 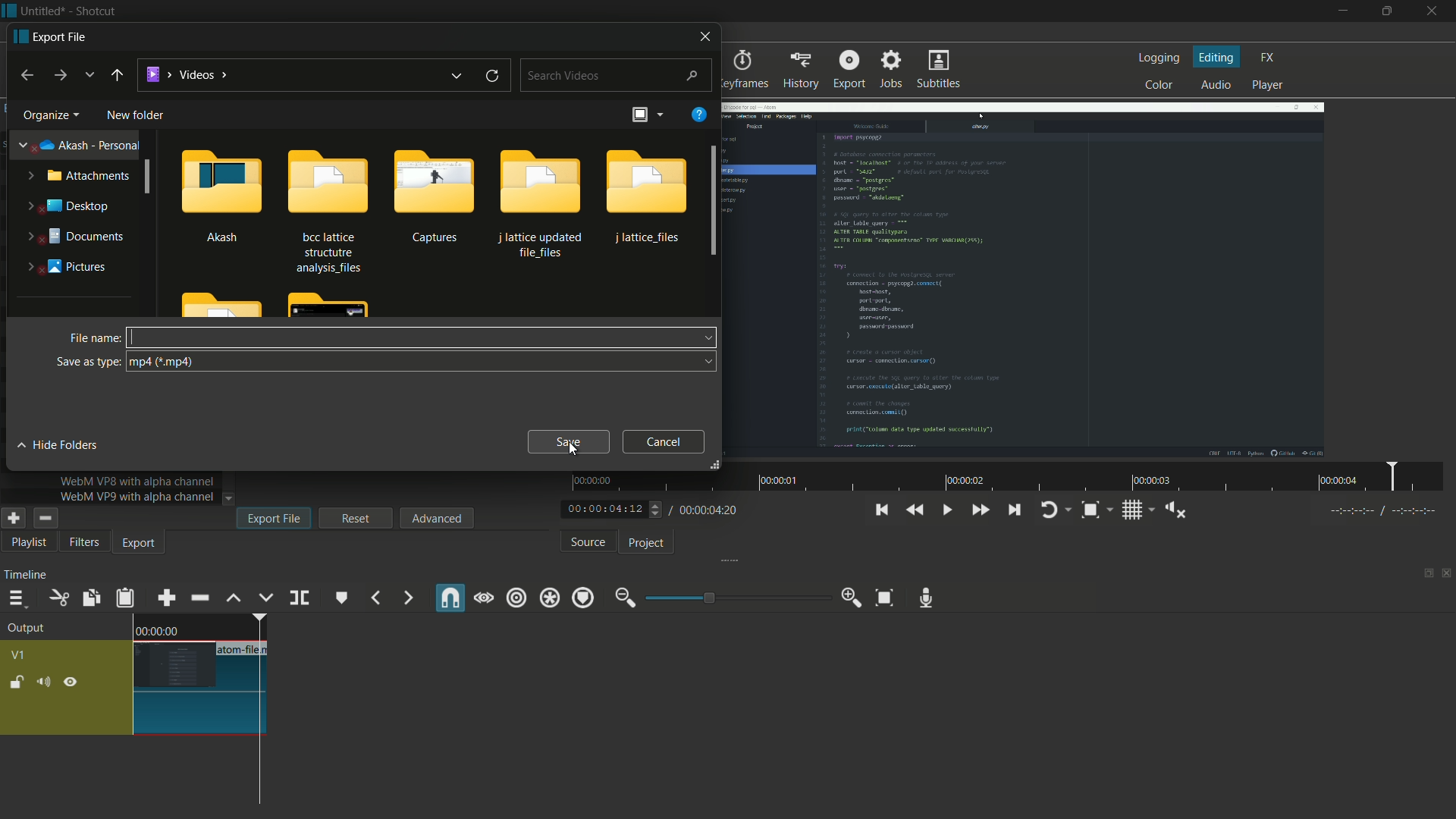 What do you see at coordinates (42, 683) in the screenshot?
I see `mute` at bounding box center [42, 683].